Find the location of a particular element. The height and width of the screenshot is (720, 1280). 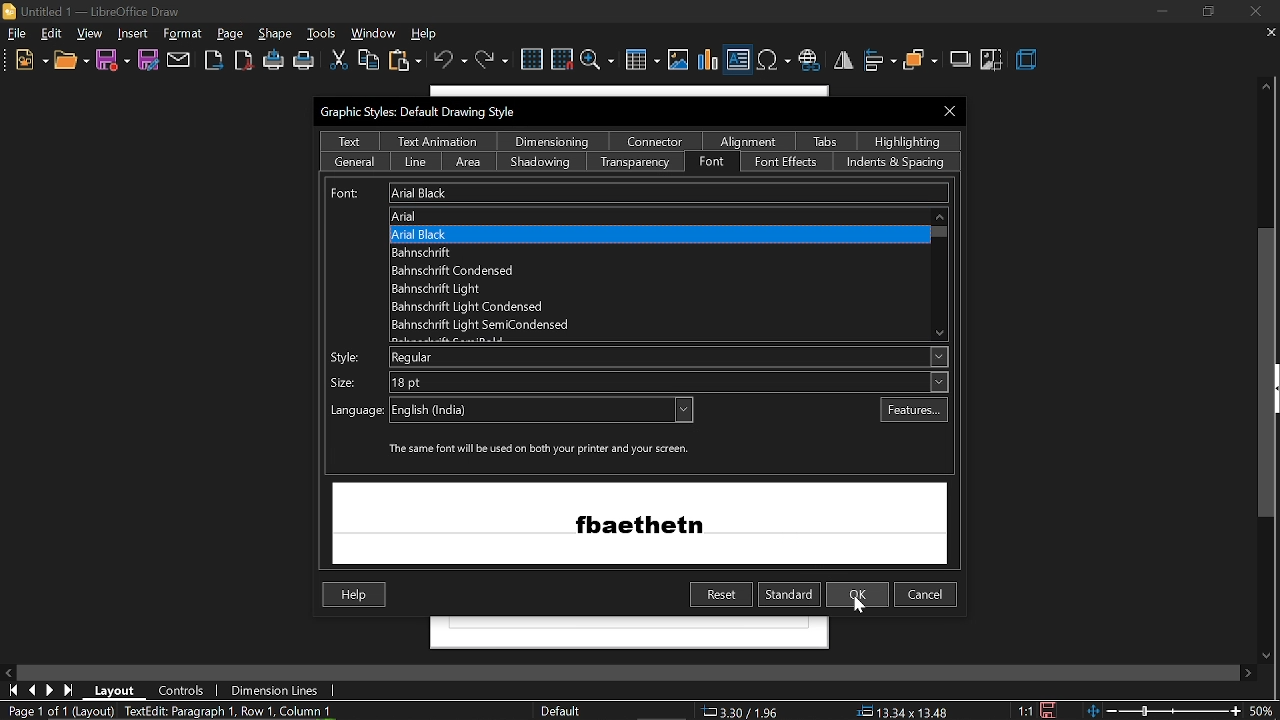

preview is located at coordinates (640, 522).